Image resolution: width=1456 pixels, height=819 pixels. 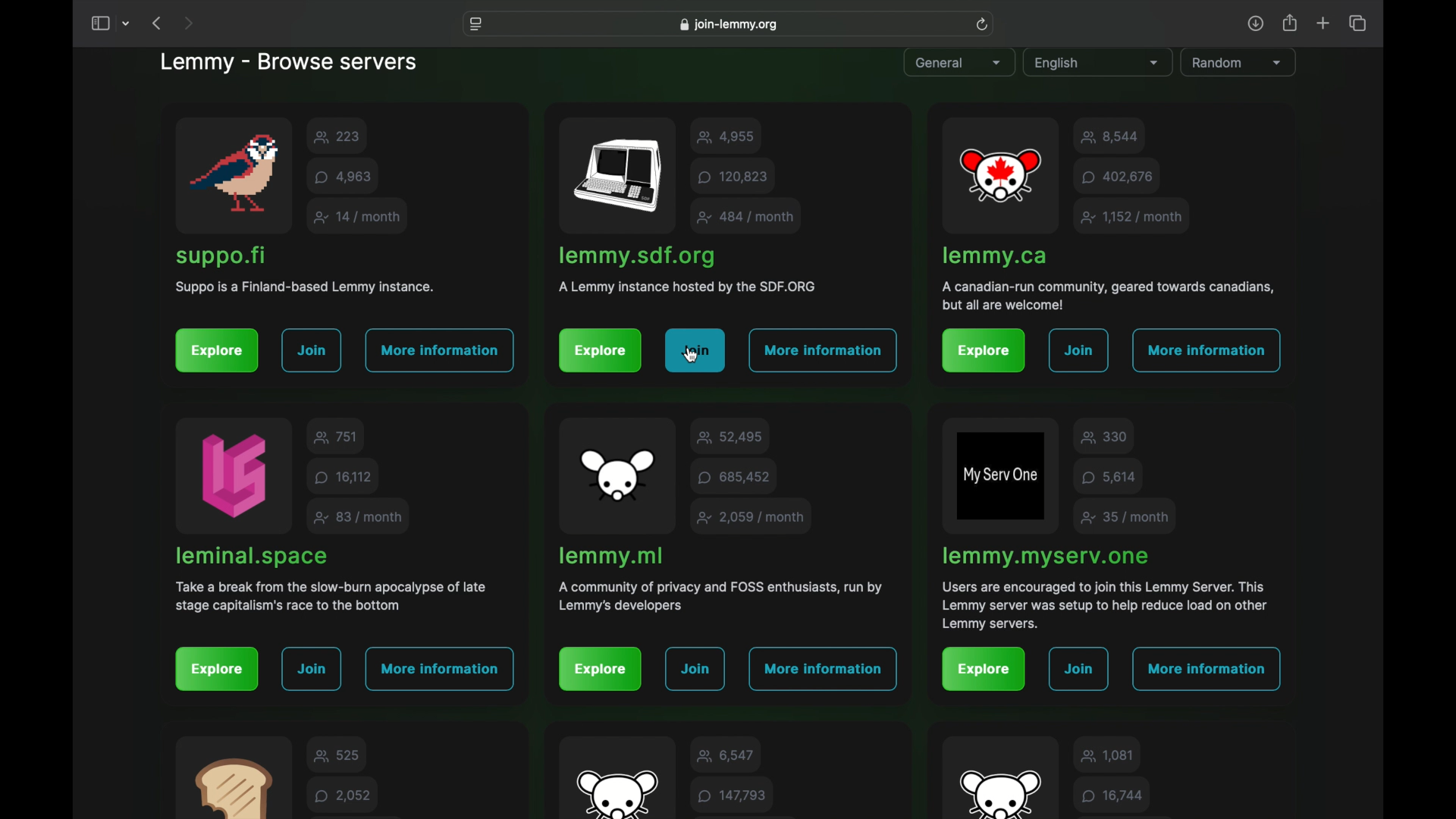 What do you see at coordinates (305, 287) in the screenshot?
I see `info` at bounding box center [305, 287].